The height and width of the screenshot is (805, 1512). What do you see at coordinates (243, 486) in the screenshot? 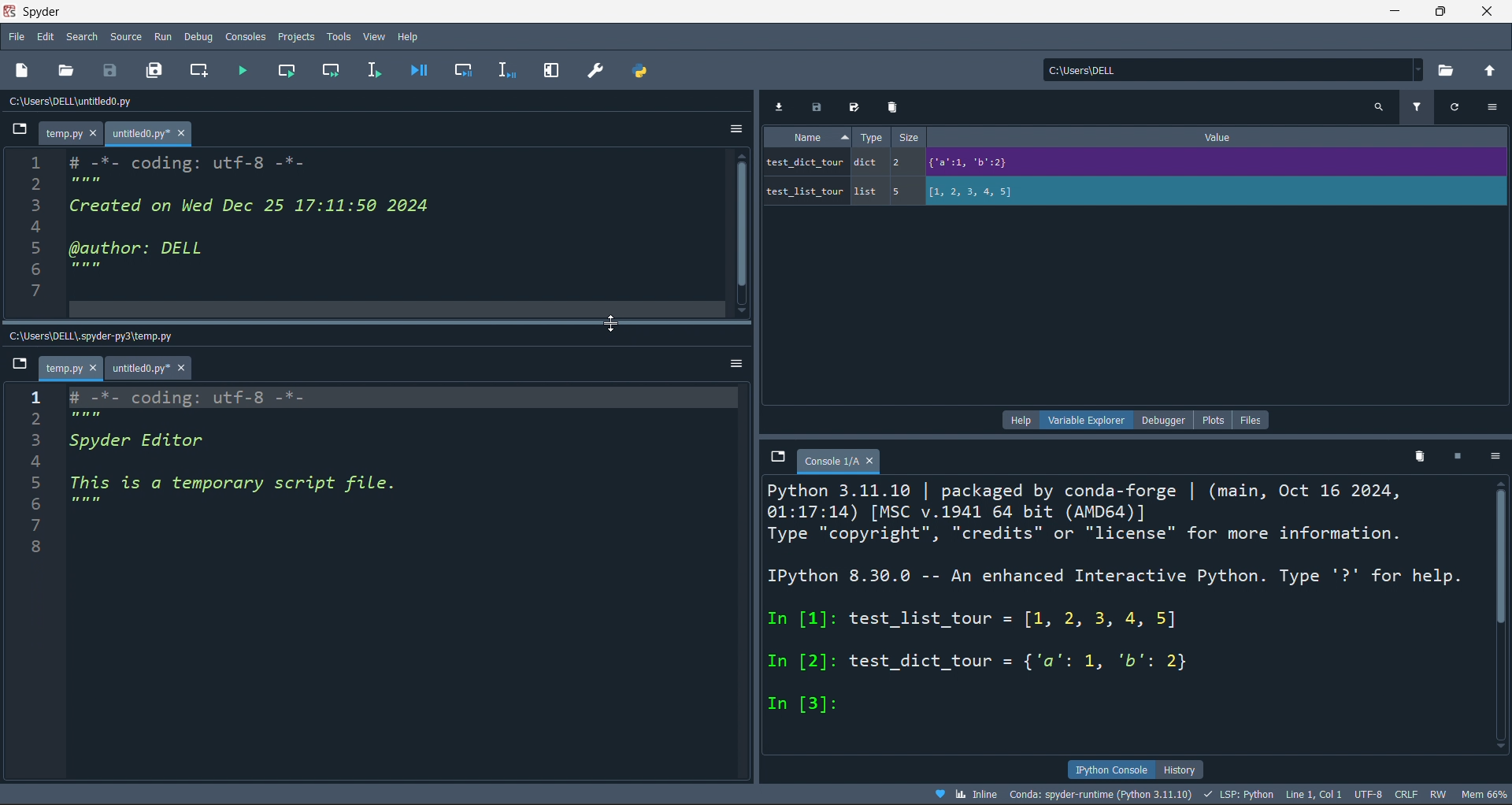
I see `5 This 1s a temporary script file.l` at bounding box center [243, 486].